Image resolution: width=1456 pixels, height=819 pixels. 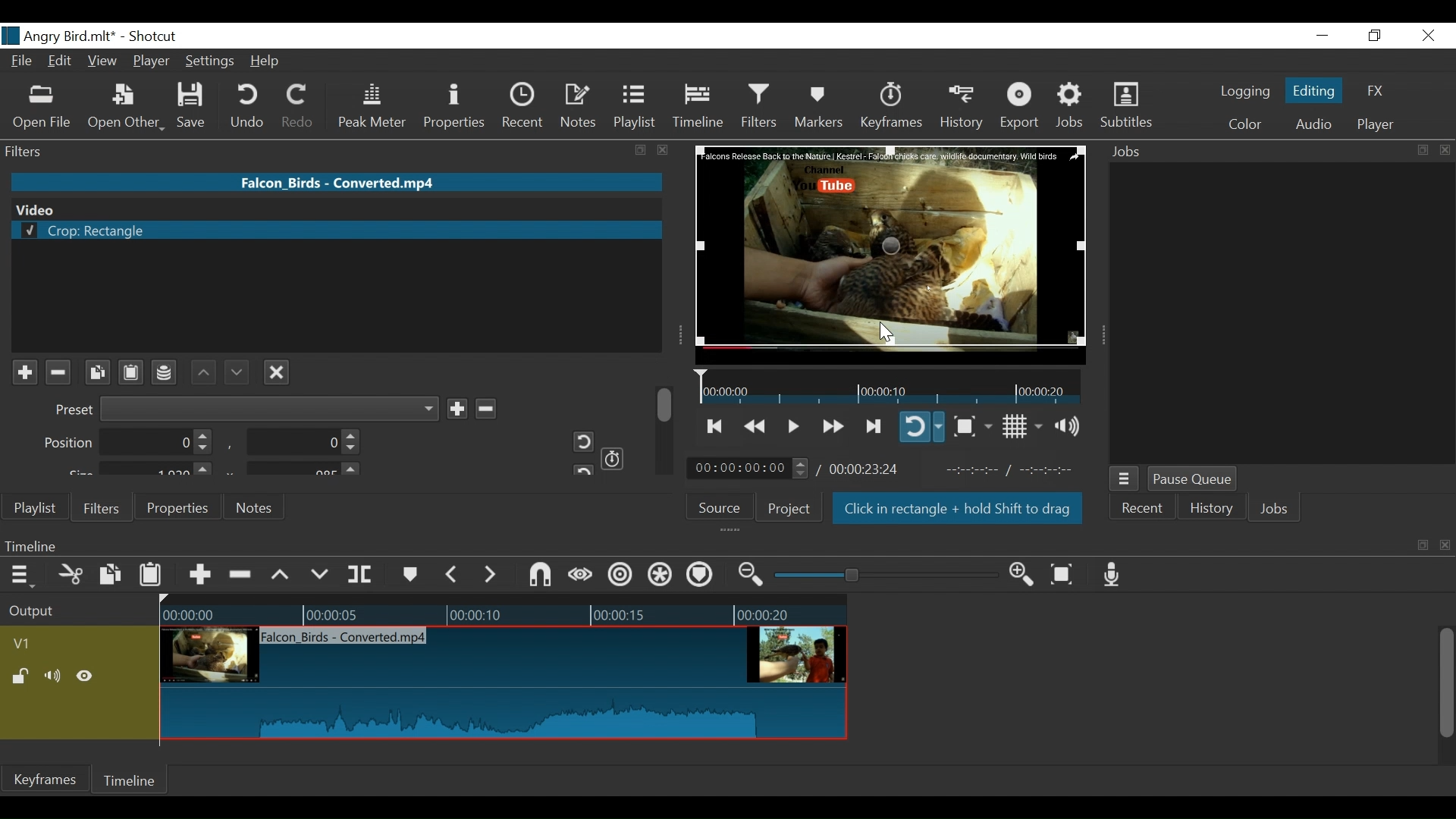 I want to click on Save, so click(x=196, y=106).